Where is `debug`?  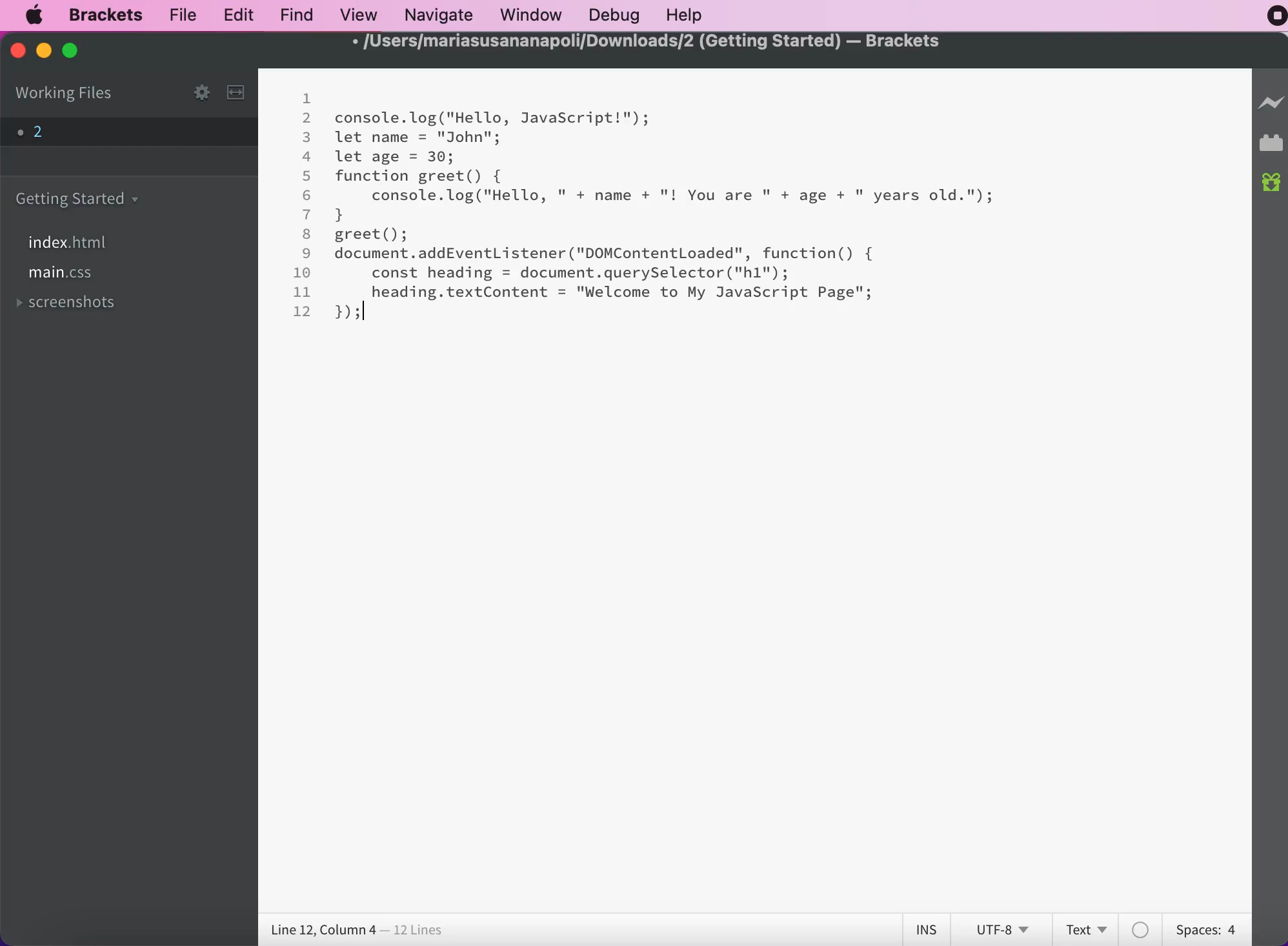
debug is located at coordinates (612, 17).